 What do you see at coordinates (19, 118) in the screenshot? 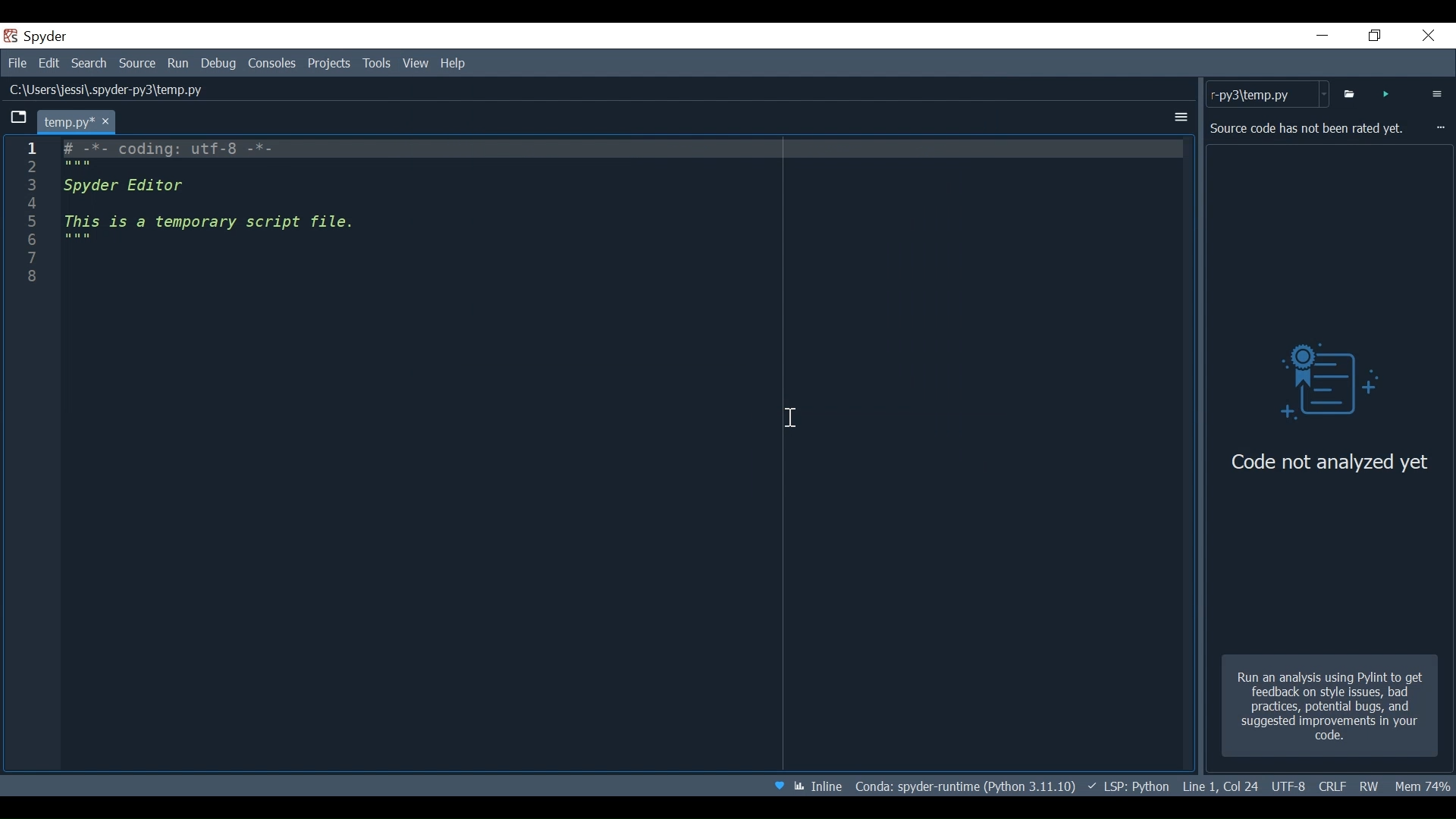
I see `Browse tabs` at bounding box center [19, 118].